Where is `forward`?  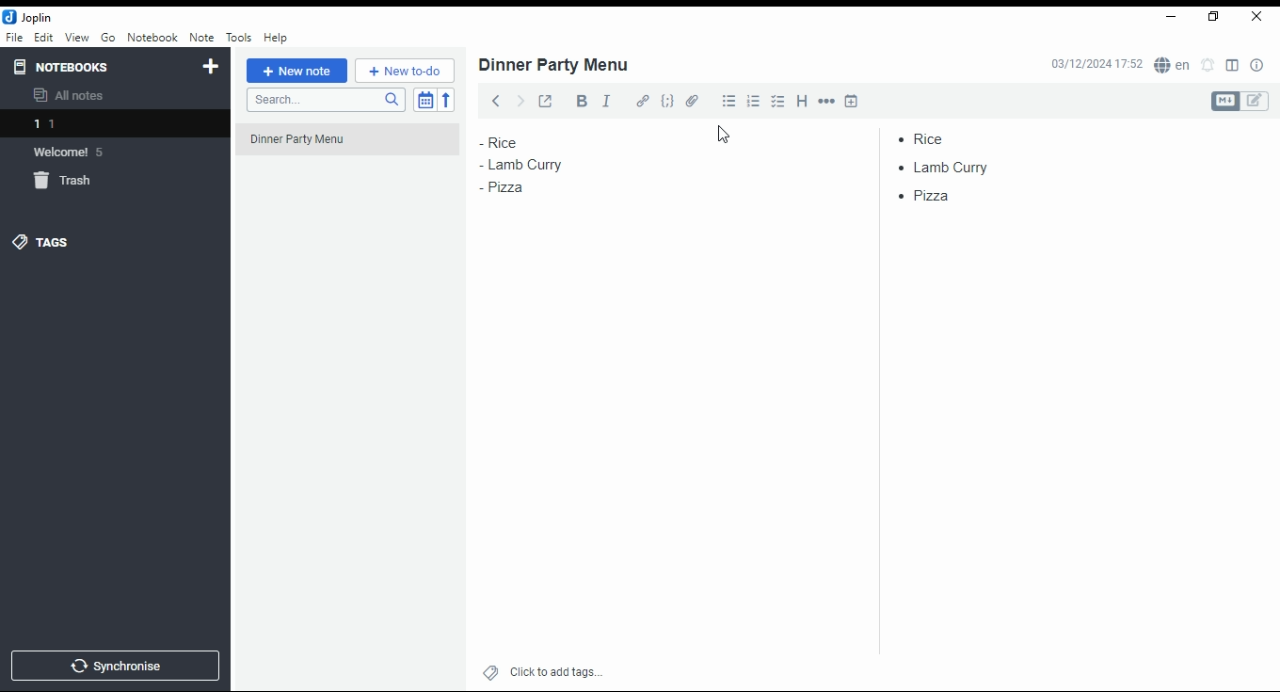
forward is located at coordinates (519, 98).